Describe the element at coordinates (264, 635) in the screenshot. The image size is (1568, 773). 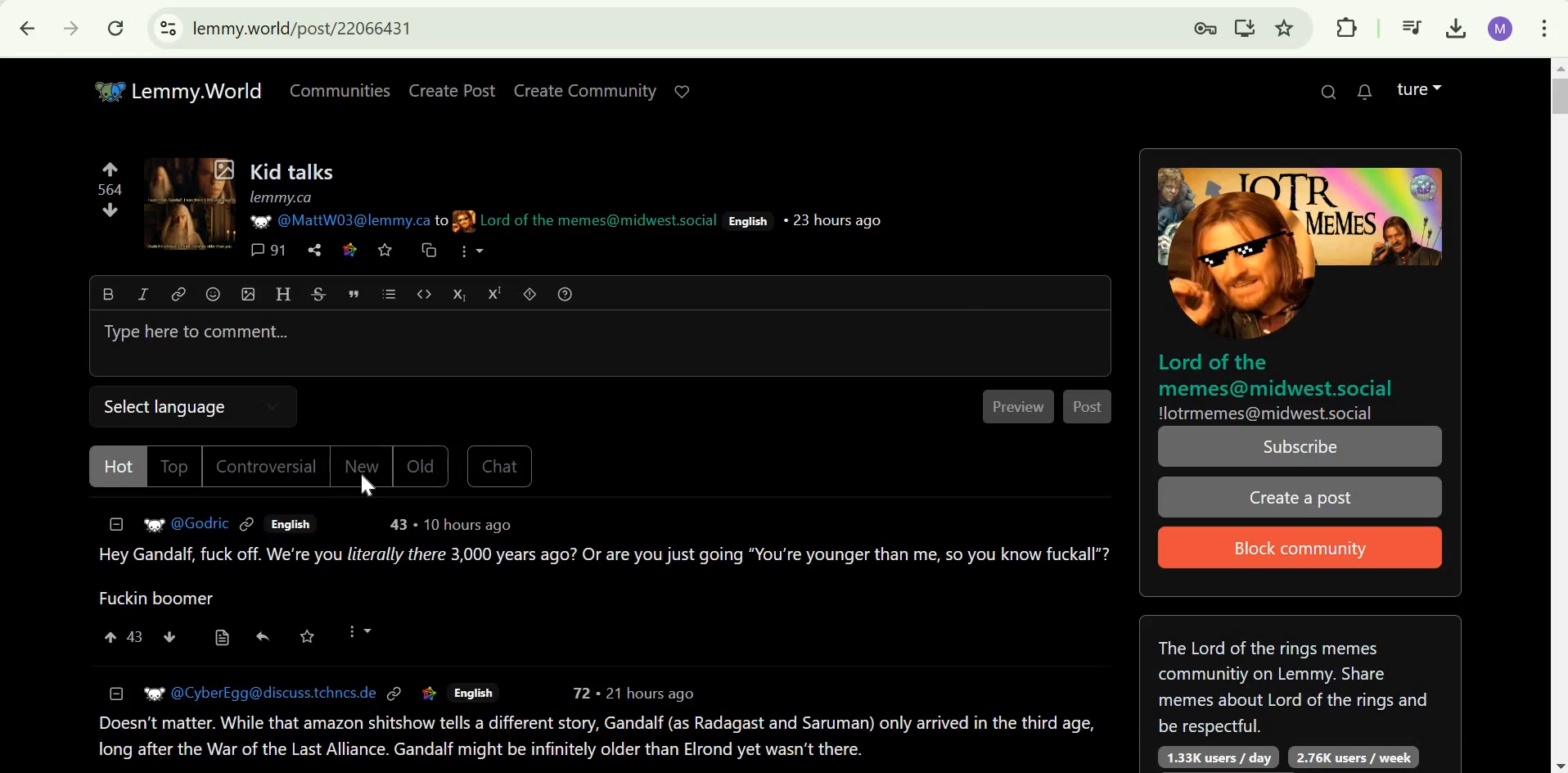
I see `reply` at that location.